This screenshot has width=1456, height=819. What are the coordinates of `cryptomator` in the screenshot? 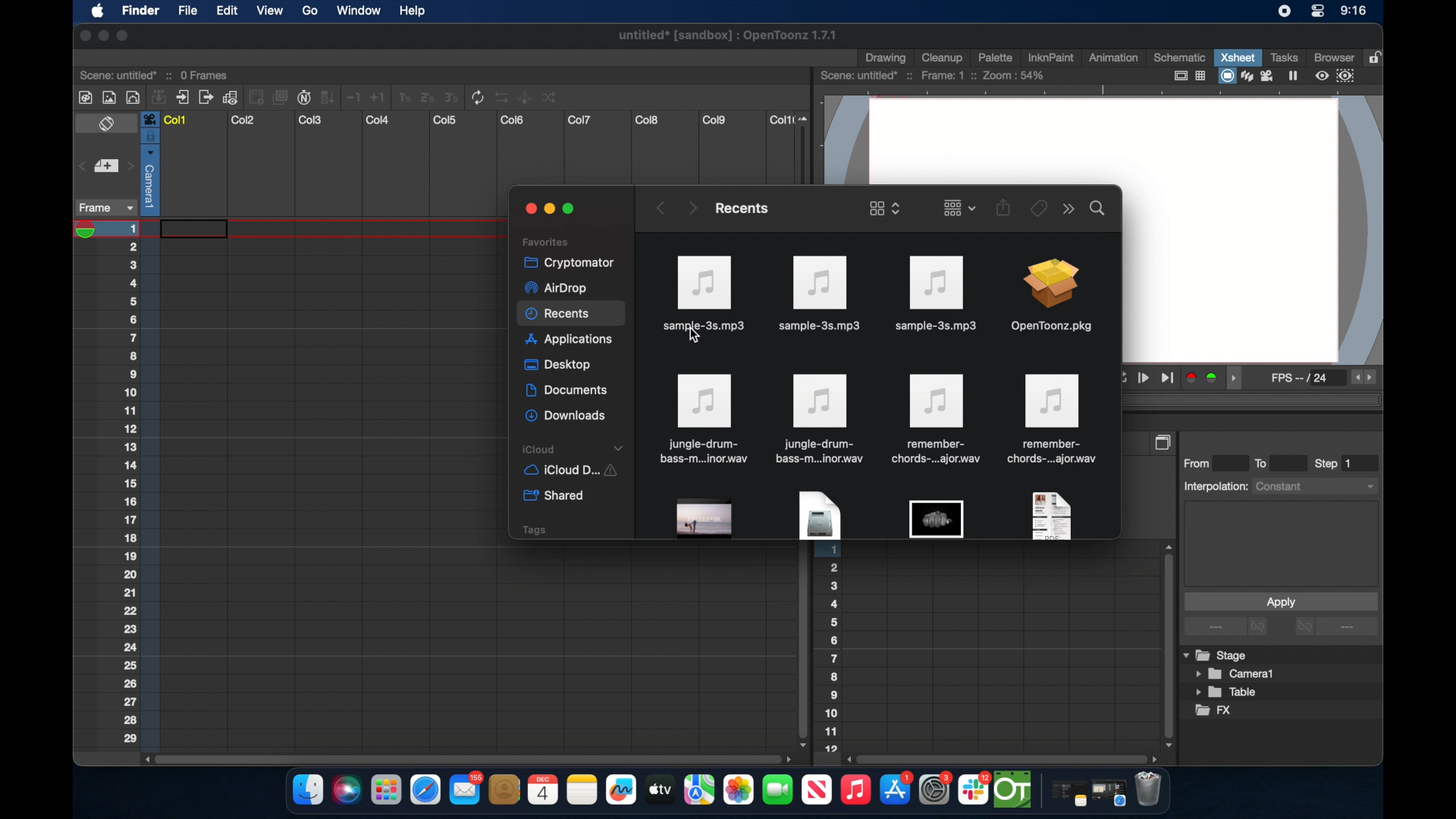 It's located at (564, 262).